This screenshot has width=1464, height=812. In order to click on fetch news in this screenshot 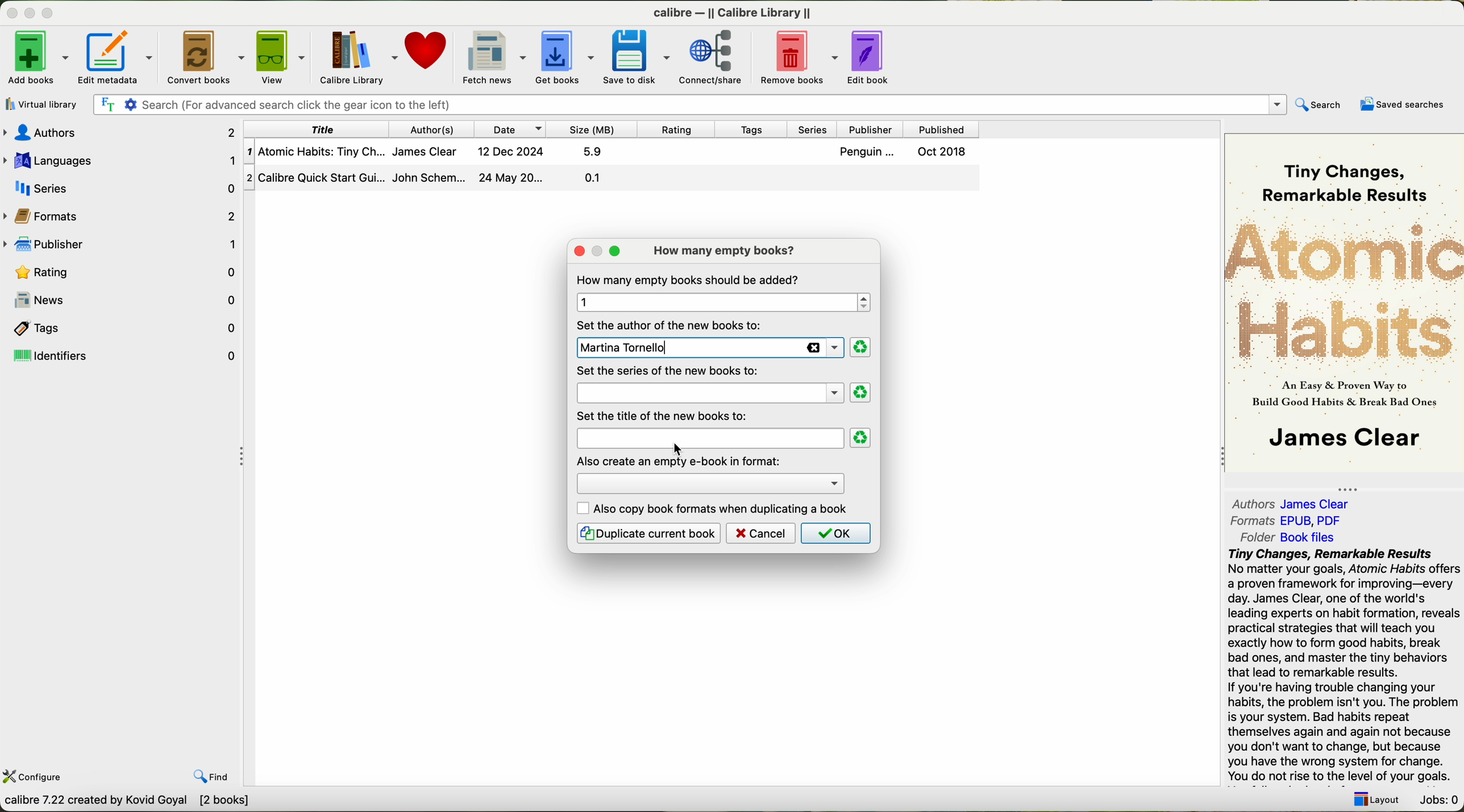, I will do `click(492, 56)`.